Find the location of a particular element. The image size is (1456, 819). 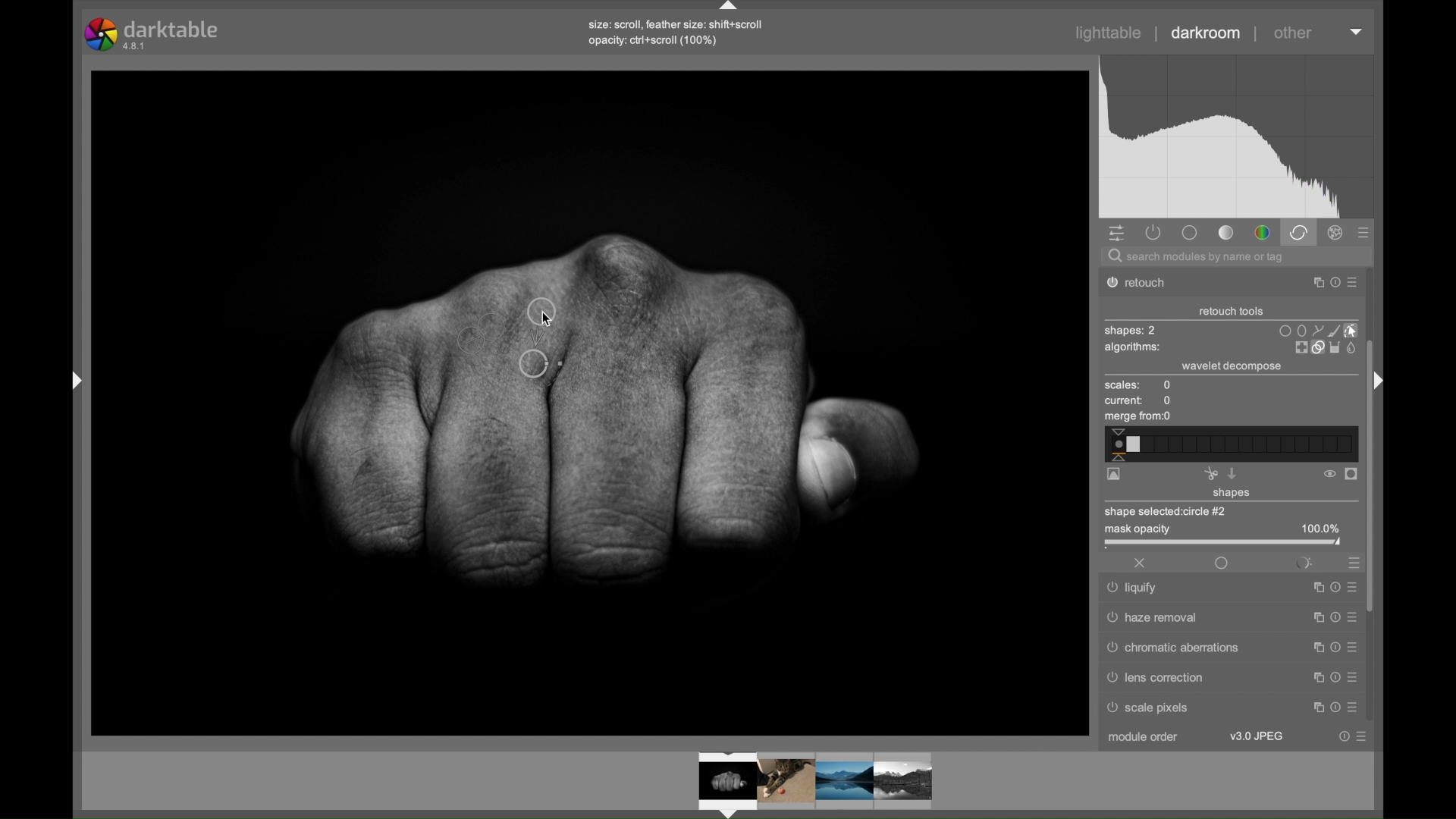

current 0 is located at coordinates (1139, 401).